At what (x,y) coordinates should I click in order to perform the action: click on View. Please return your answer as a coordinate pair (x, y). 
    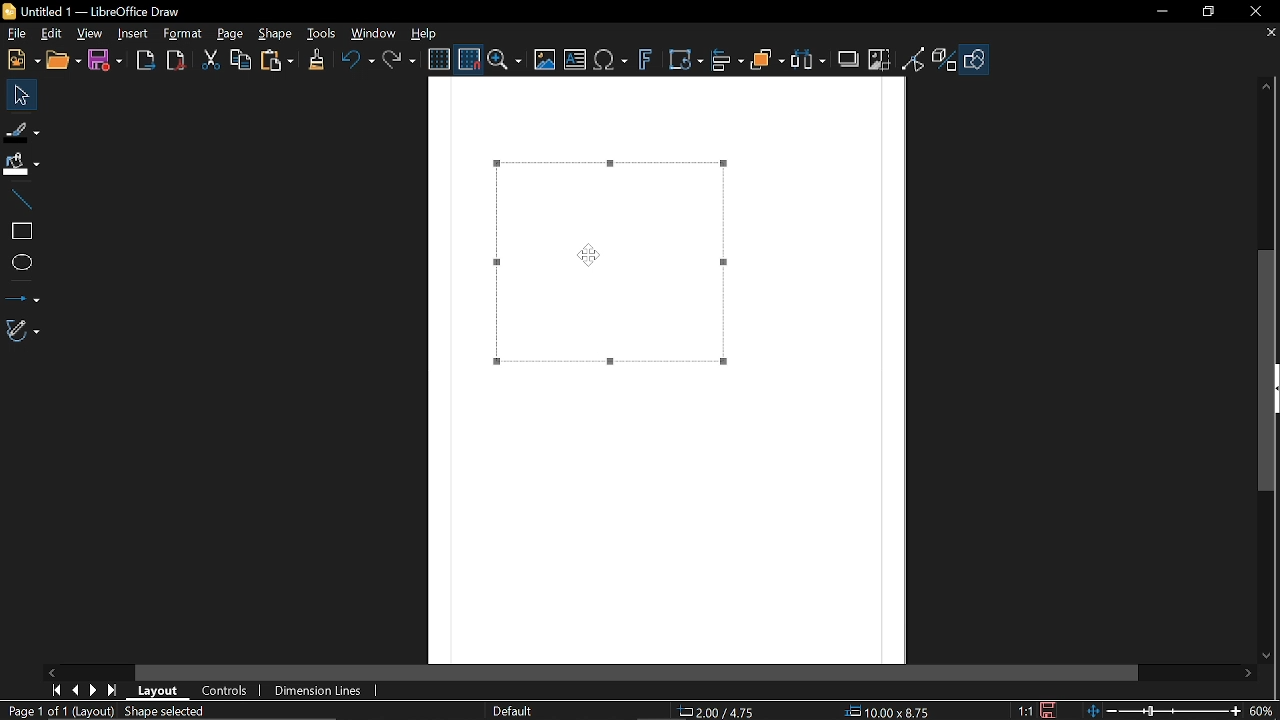
    Looking at the image, I should click on (90, 32).